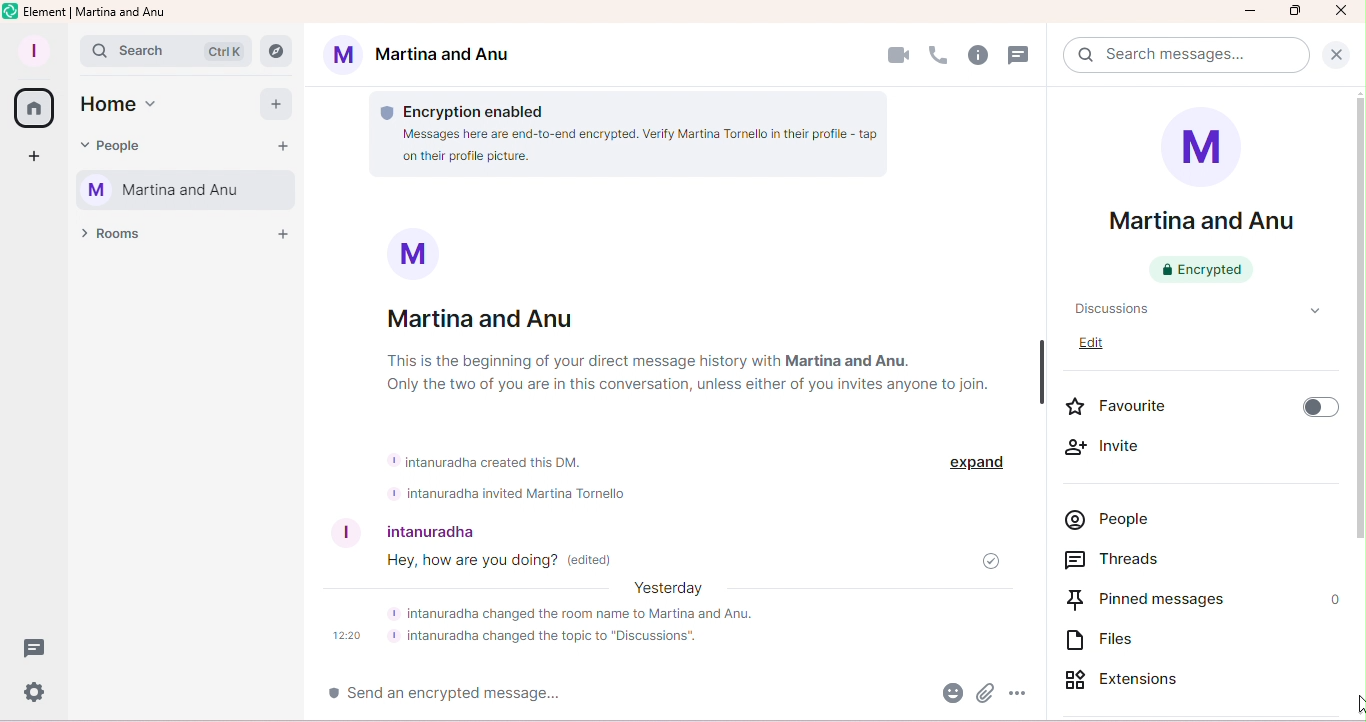  What do you see at coordinates (517, 695) in the screenshot?
I see `Write message` at bounding box center [517, 695].